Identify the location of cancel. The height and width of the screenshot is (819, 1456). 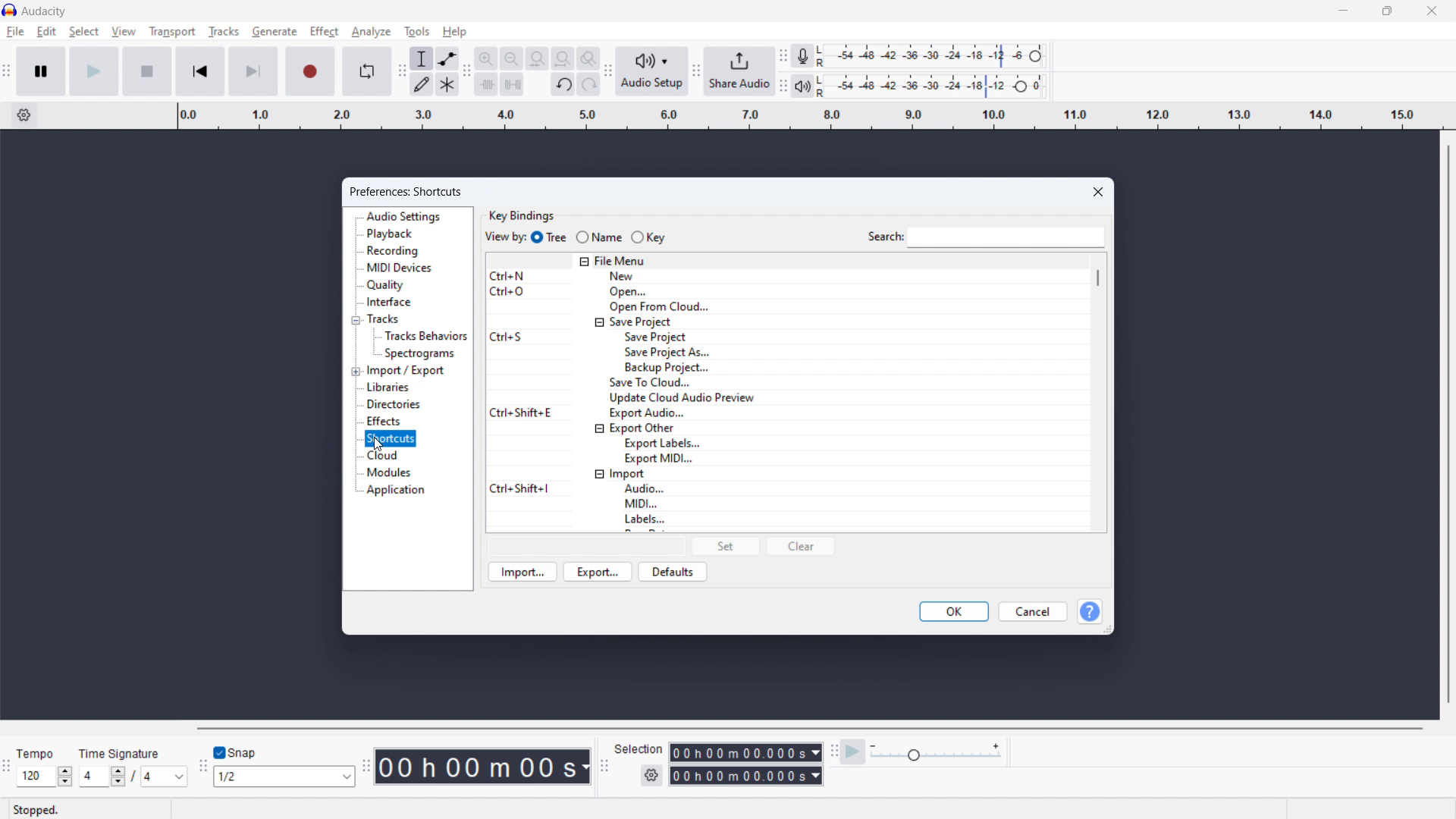
(1034, 611).